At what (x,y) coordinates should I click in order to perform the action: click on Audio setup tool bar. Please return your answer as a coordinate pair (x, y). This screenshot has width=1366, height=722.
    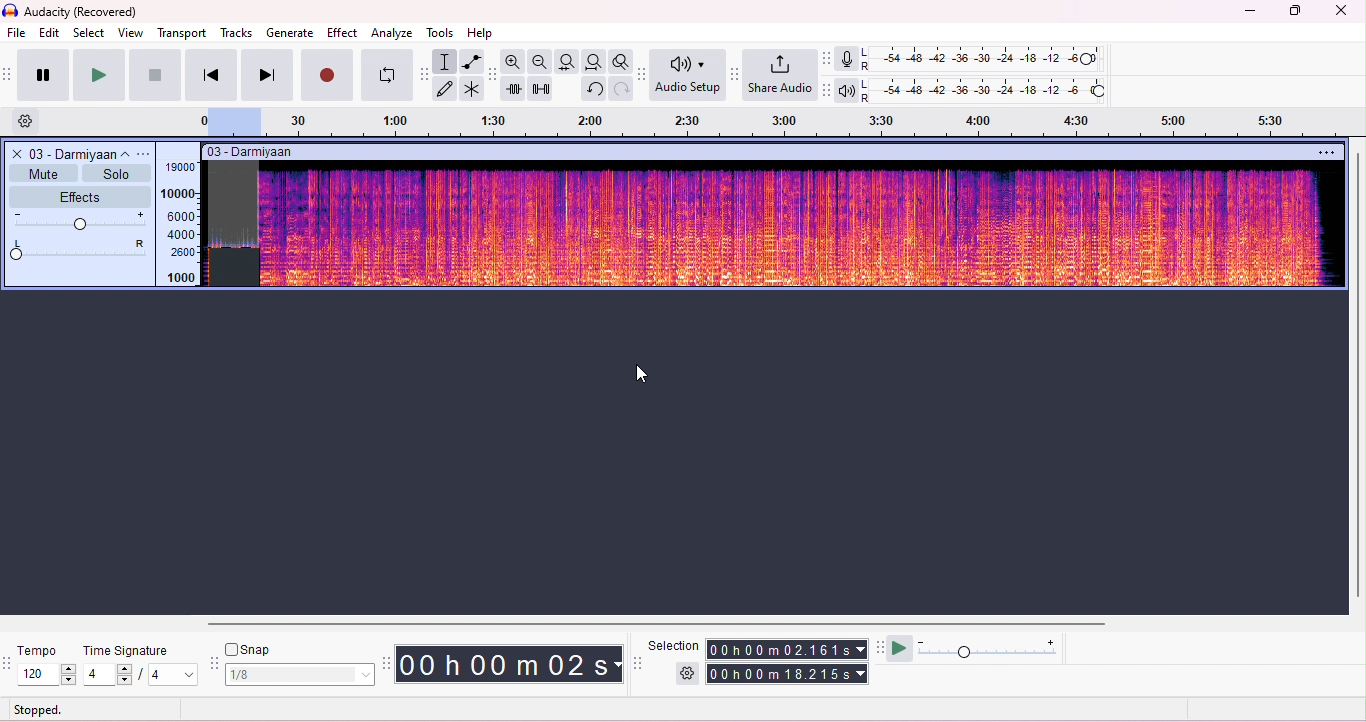
    Looking at the image, I should click on (643, 75).